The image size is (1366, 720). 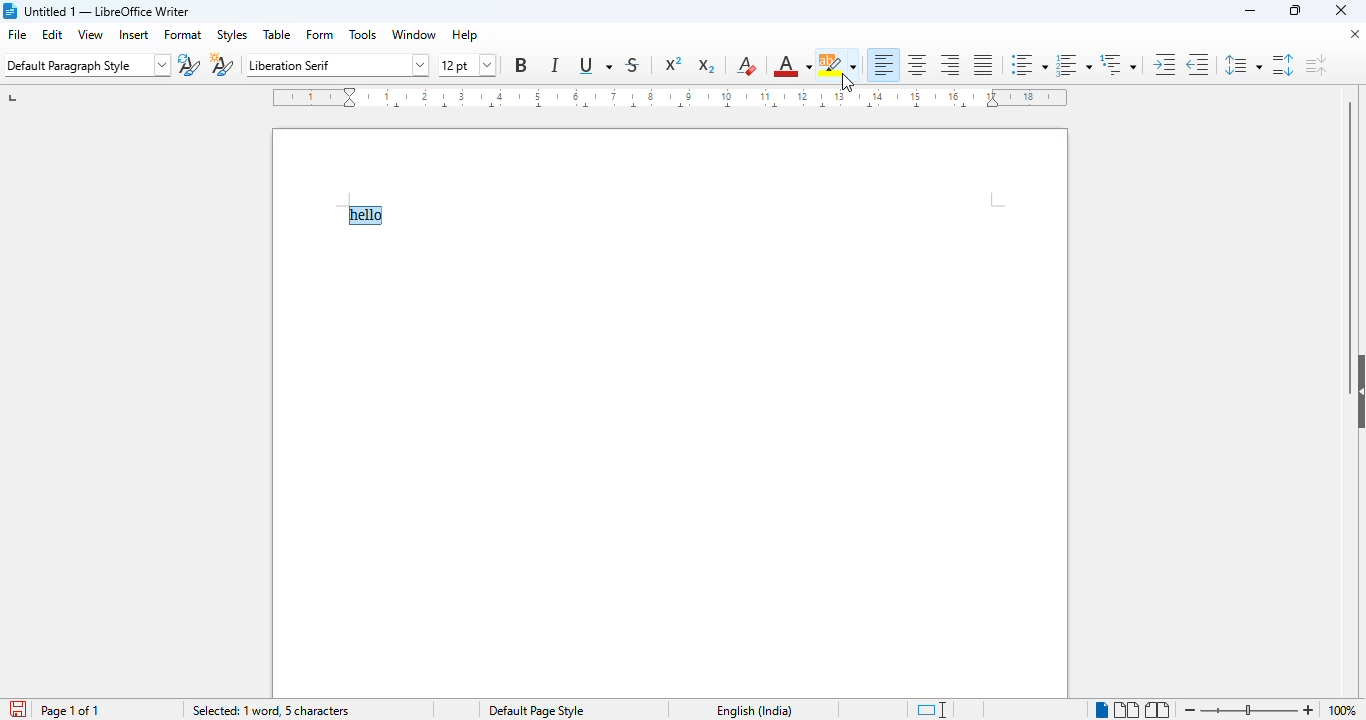 I want to click on underline, so click(x=594, y=66).